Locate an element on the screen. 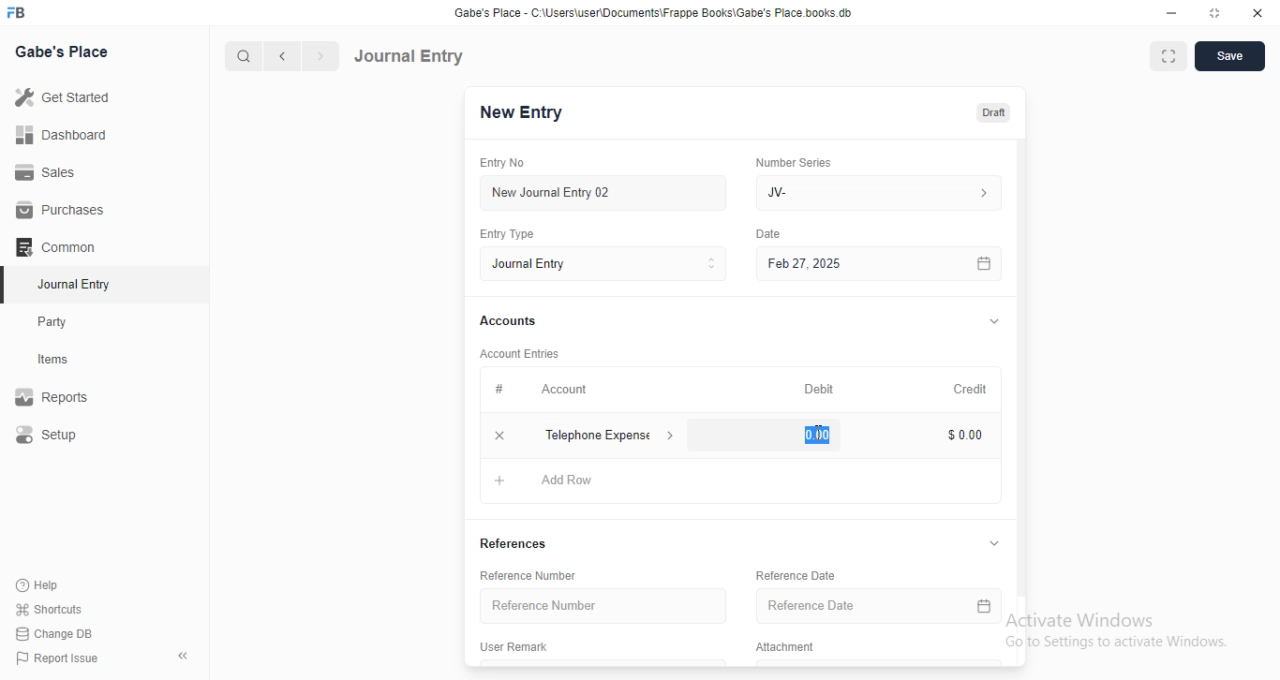 This screenshot has width=1280, height=680. Party is located at coordinates (54, 322).